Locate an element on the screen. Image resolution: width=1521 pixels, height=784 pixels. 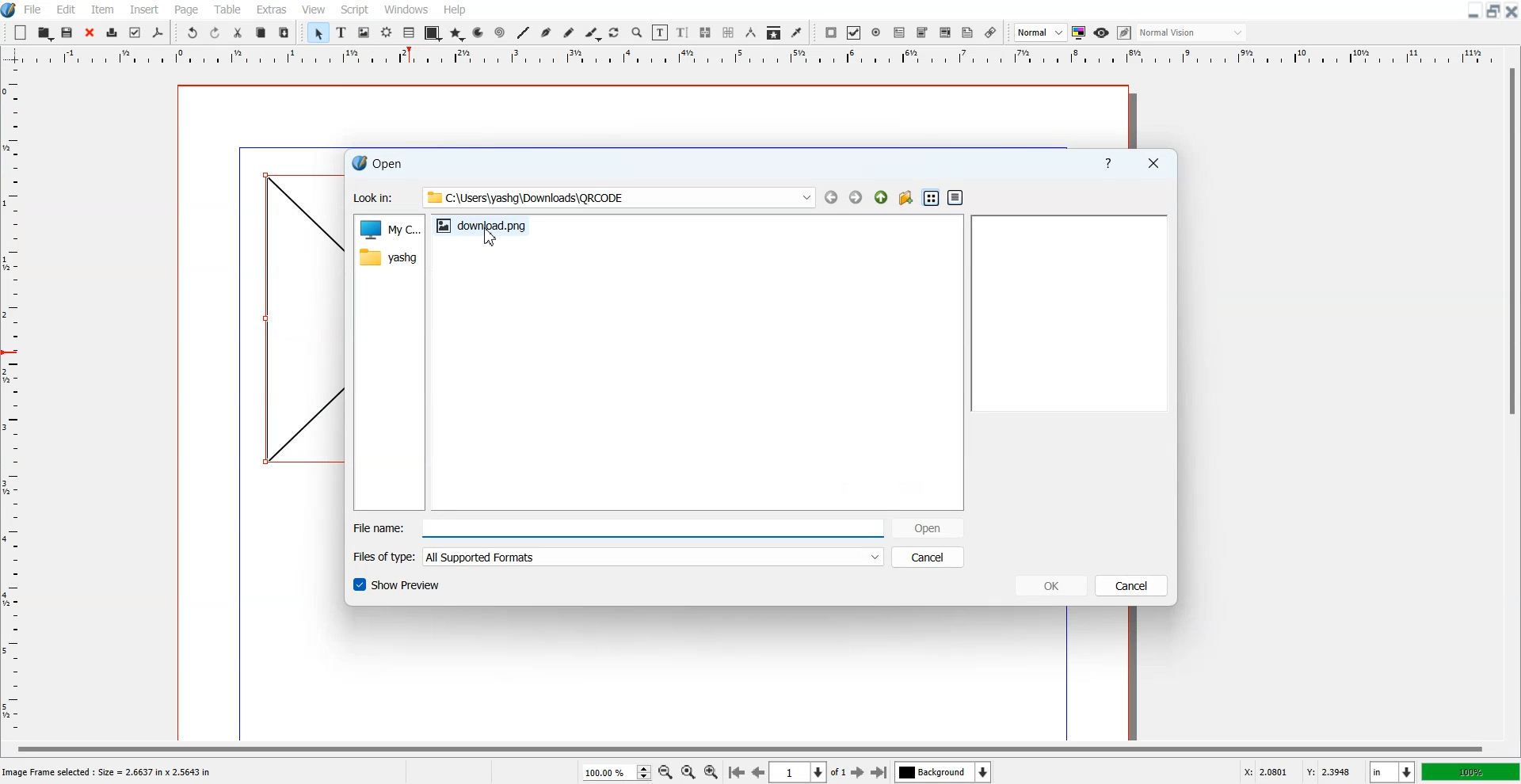
Zoom to 100% is located at coordinates (688, 771).